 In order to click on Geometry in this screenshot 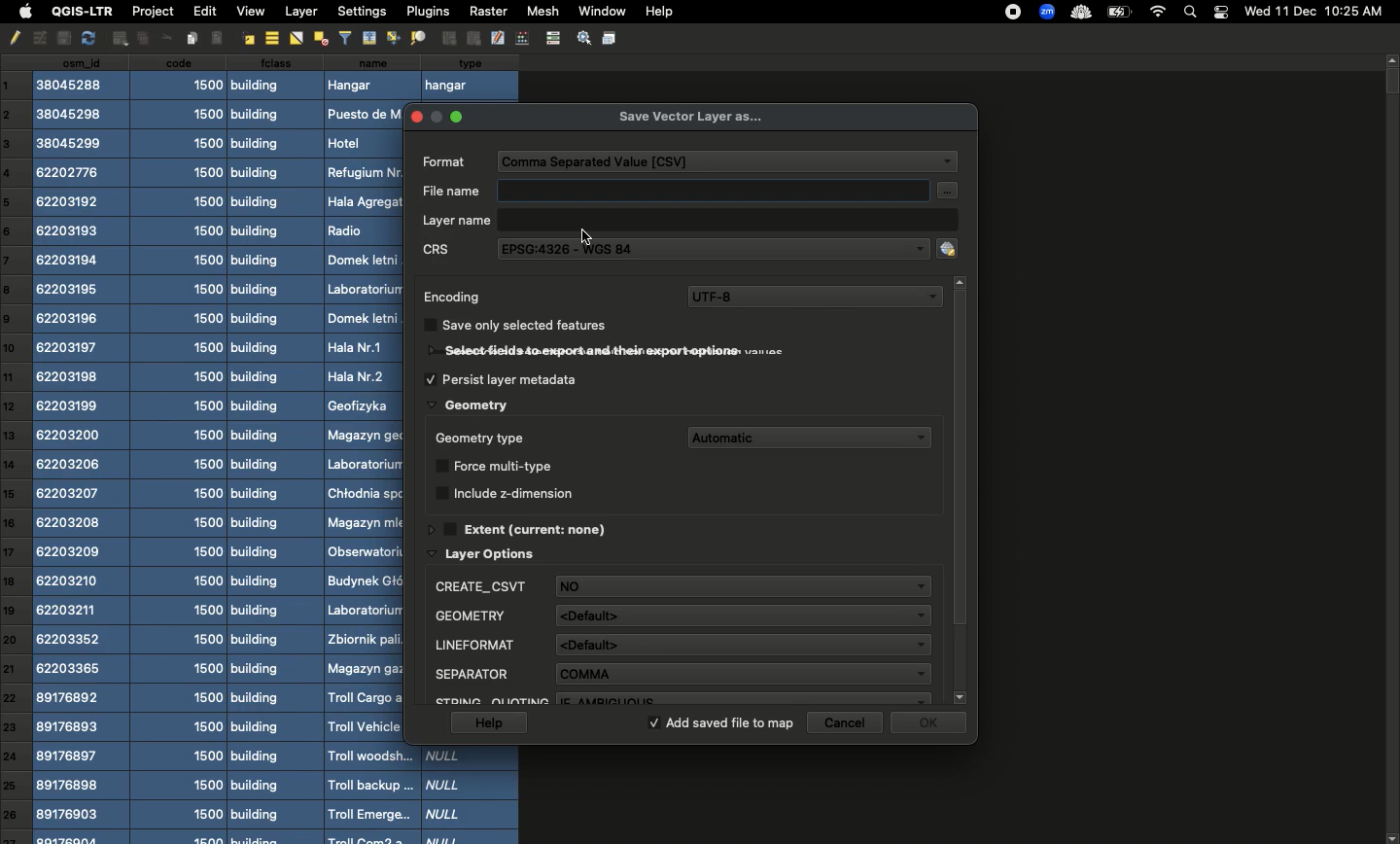, I will do `click(470, 402)`.